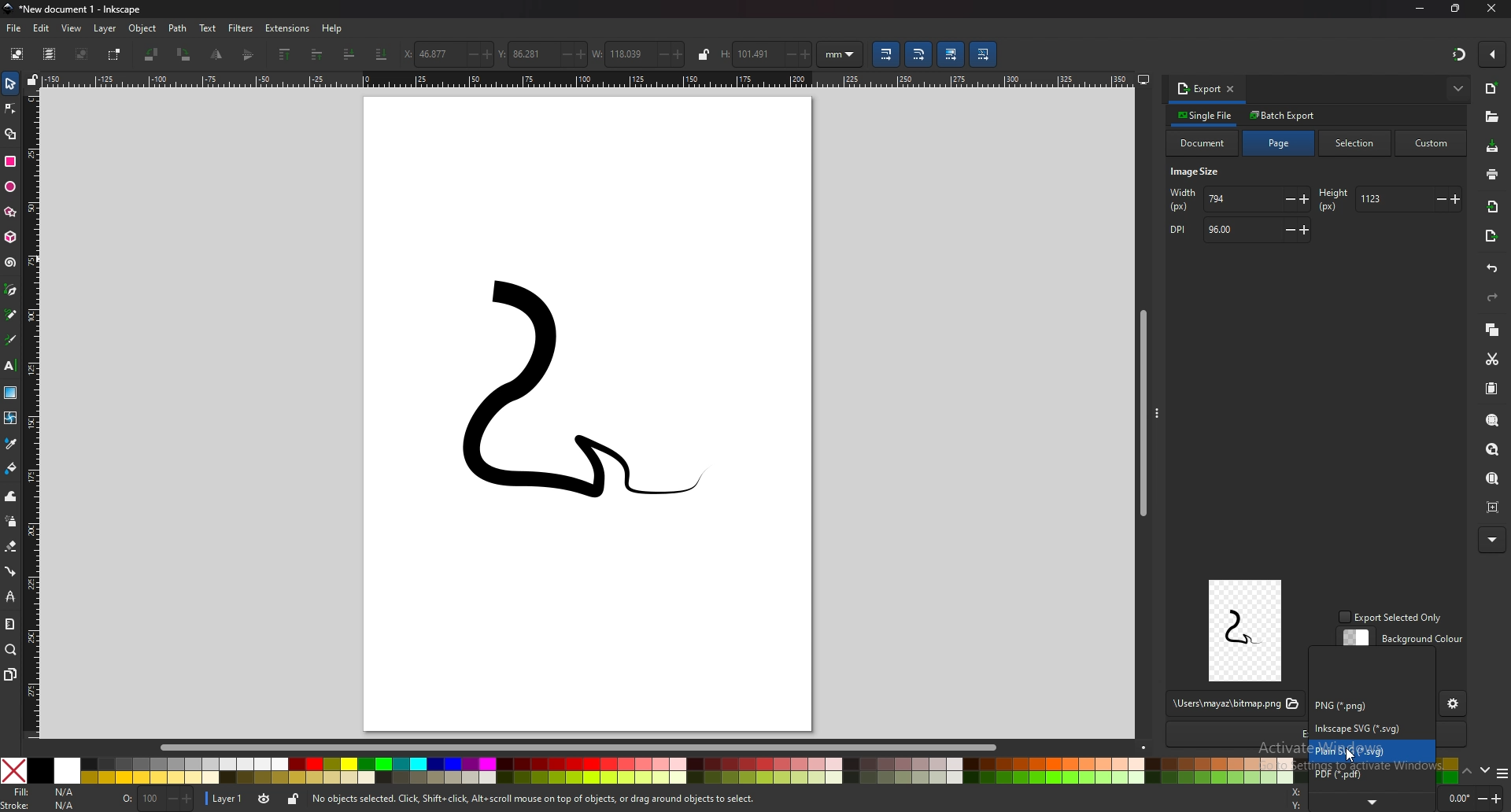 Image resolution: width=1511 pixels, height=812 pixels. What do you see at coordinates (1284, 115) in the screenshot?
I see `batch export` at bounding box center [1284, 115].